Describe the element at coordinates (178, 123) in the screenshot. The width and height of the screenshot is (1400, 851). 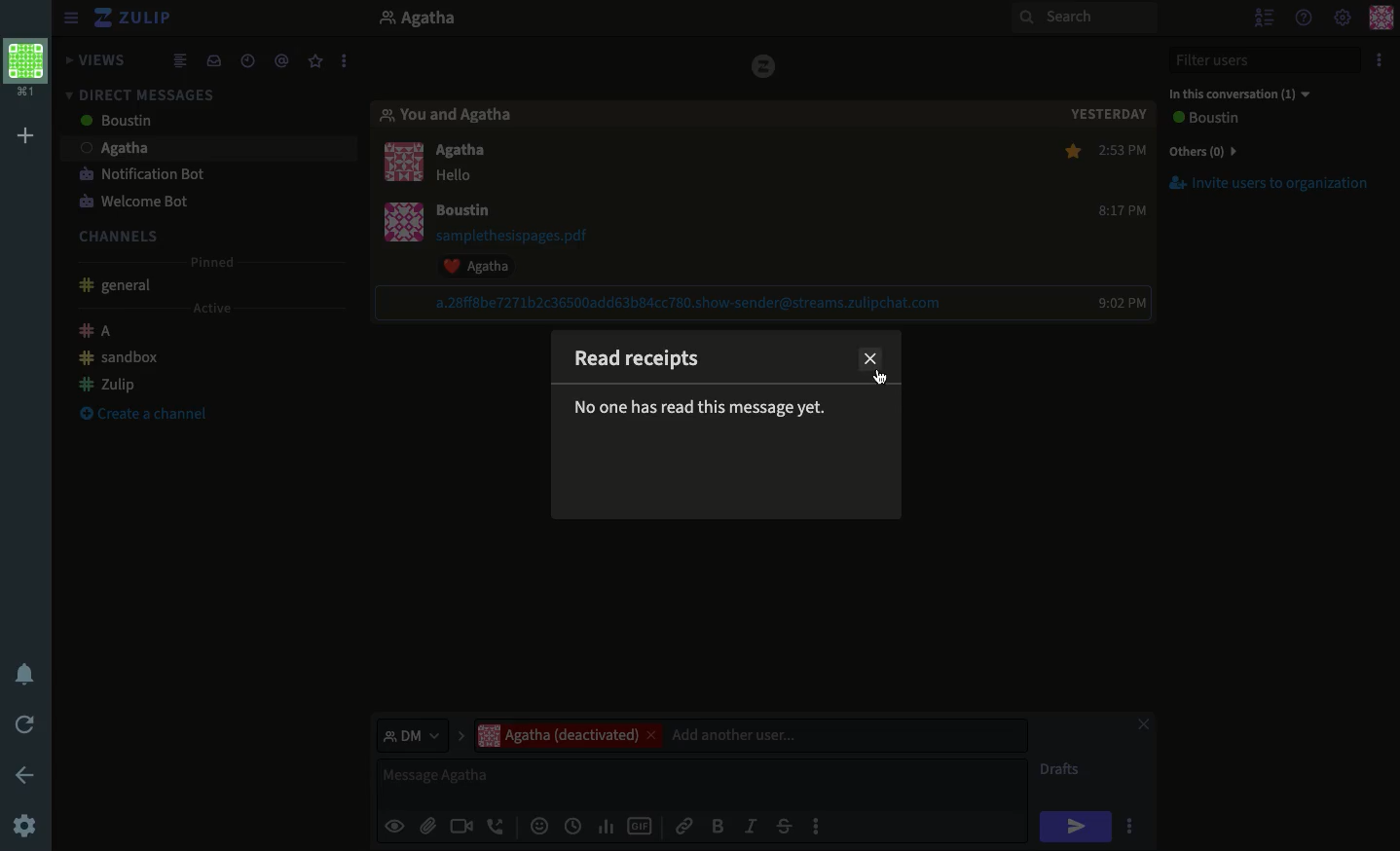
I see `Users` at that location.